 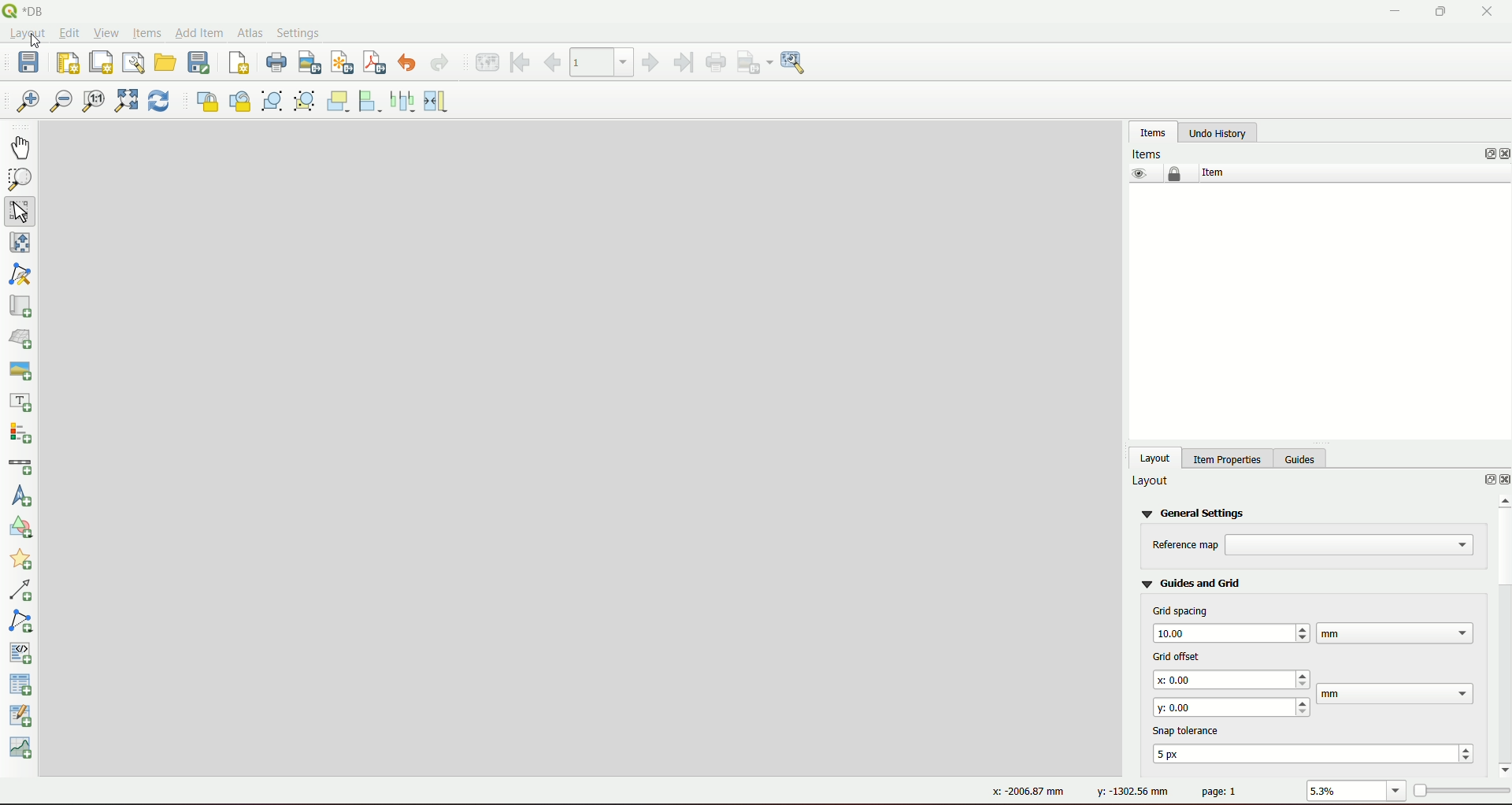 I want to click on Add item, so click(x=198, y=32).